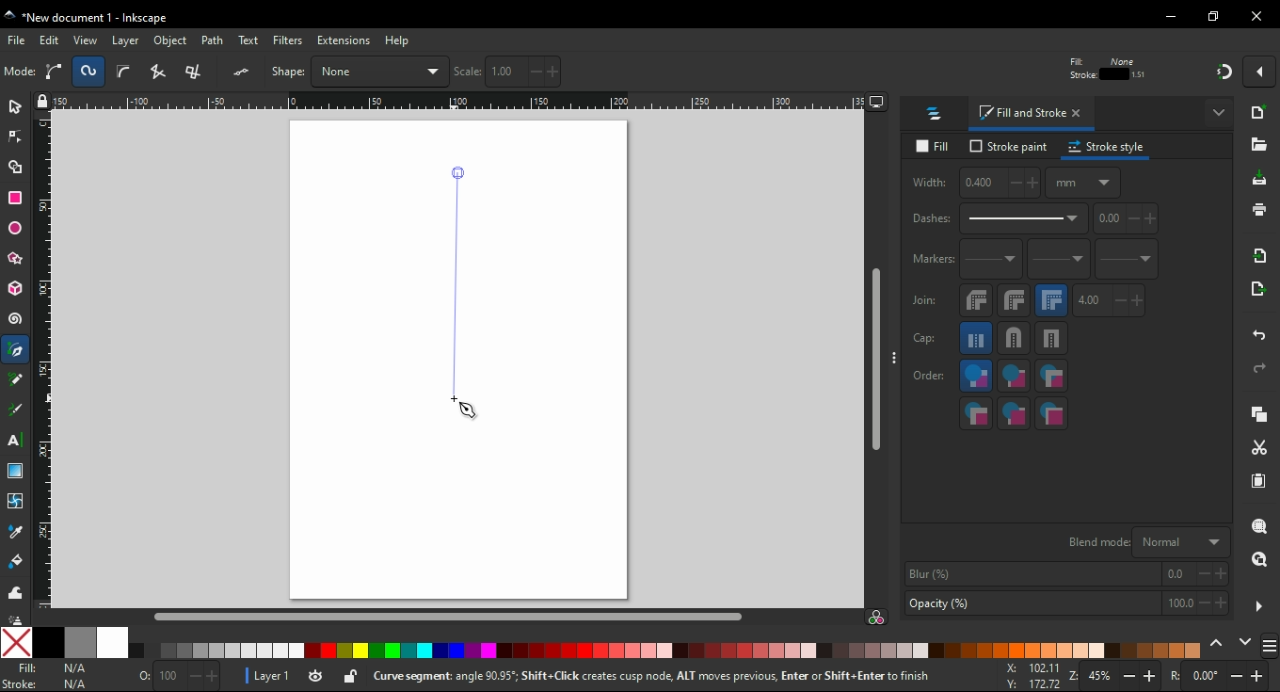 The image size is (1280, 692). Describe the element at coordinates (1107, 147) in the screenshot. I see `stroke style` at that location.